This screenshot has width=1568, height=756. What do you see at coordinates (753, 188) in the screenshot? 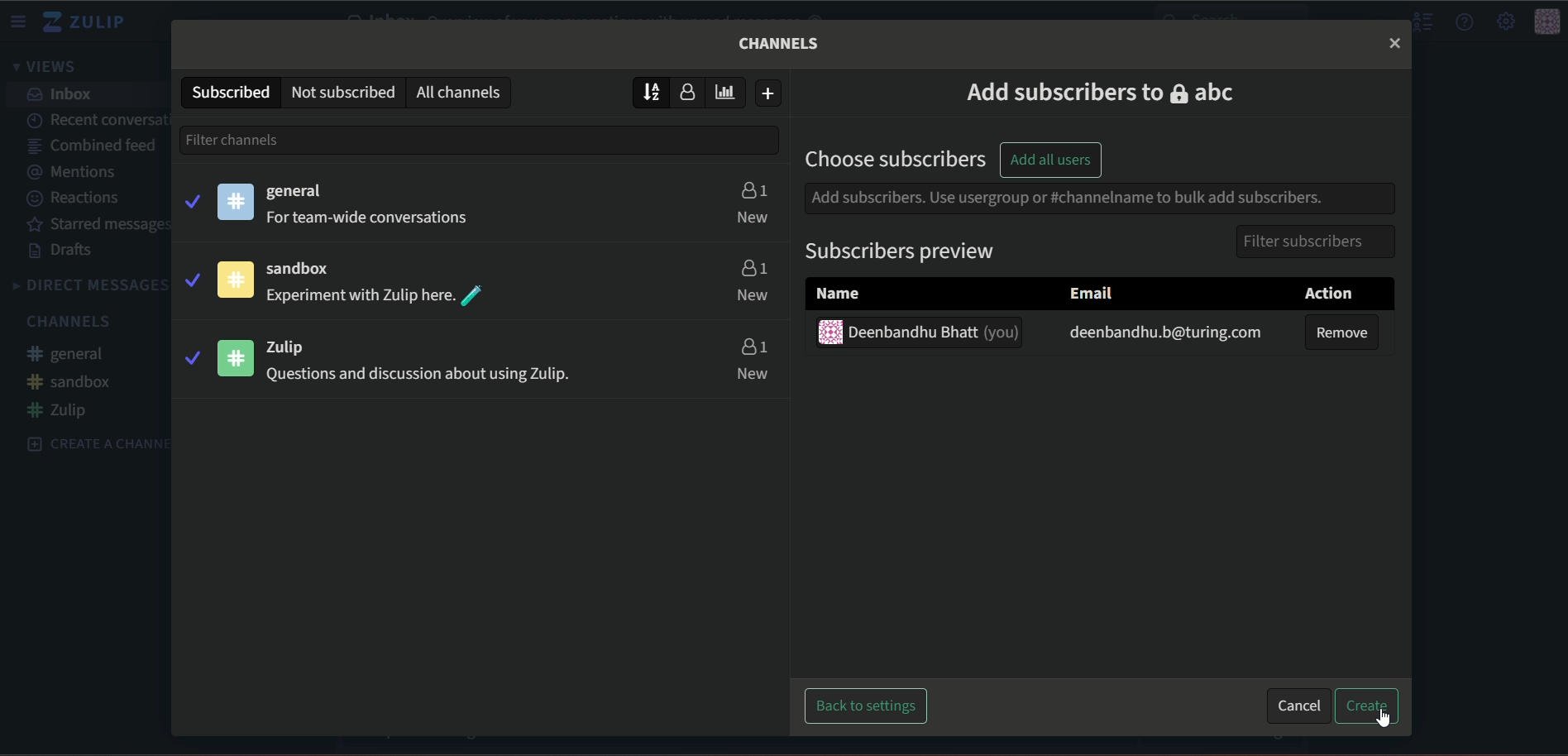
I see `users` at bounding box center [753, 188].